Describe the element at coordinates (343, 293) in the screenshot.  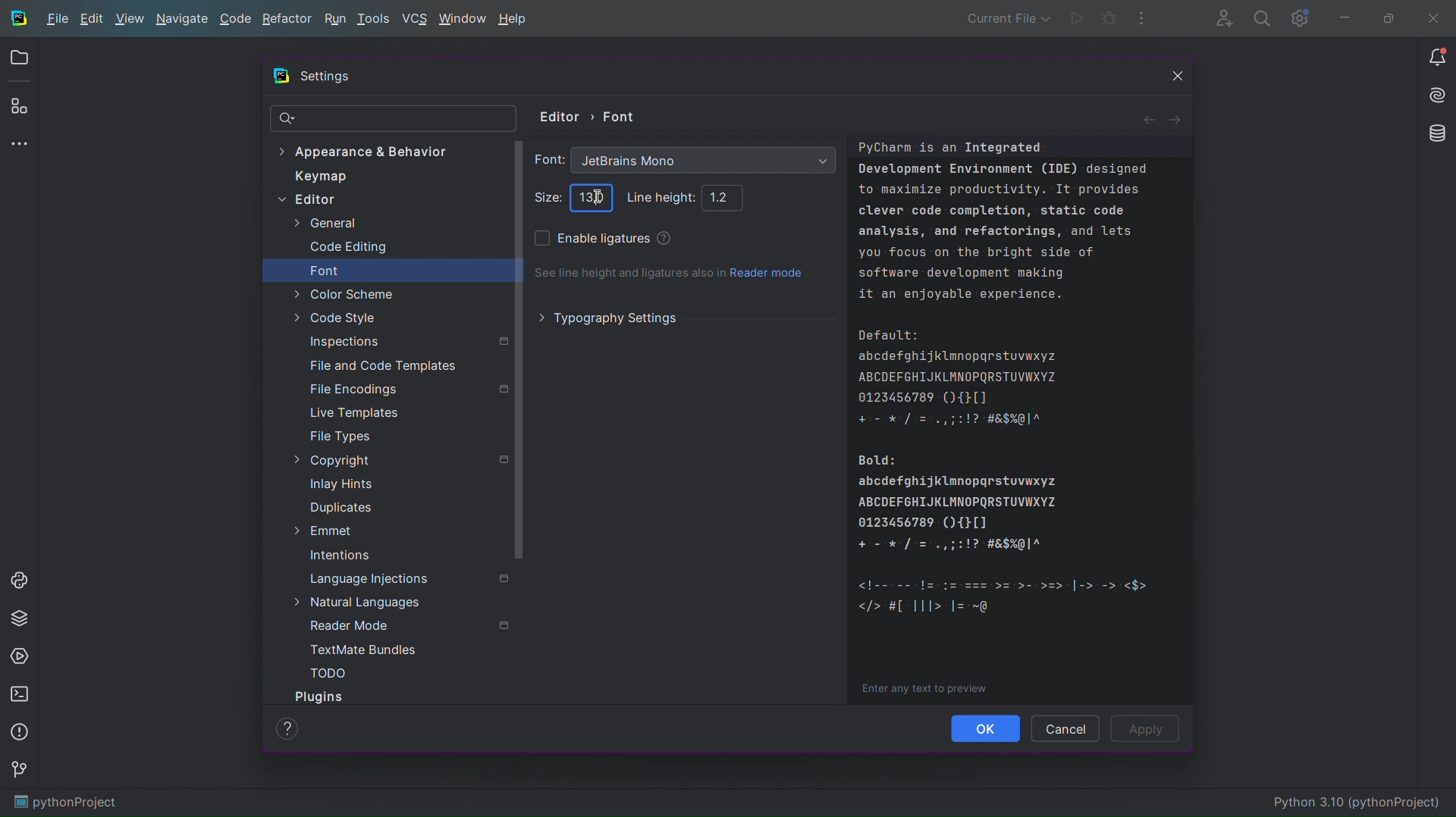
I see `Color Scheme` at that location.